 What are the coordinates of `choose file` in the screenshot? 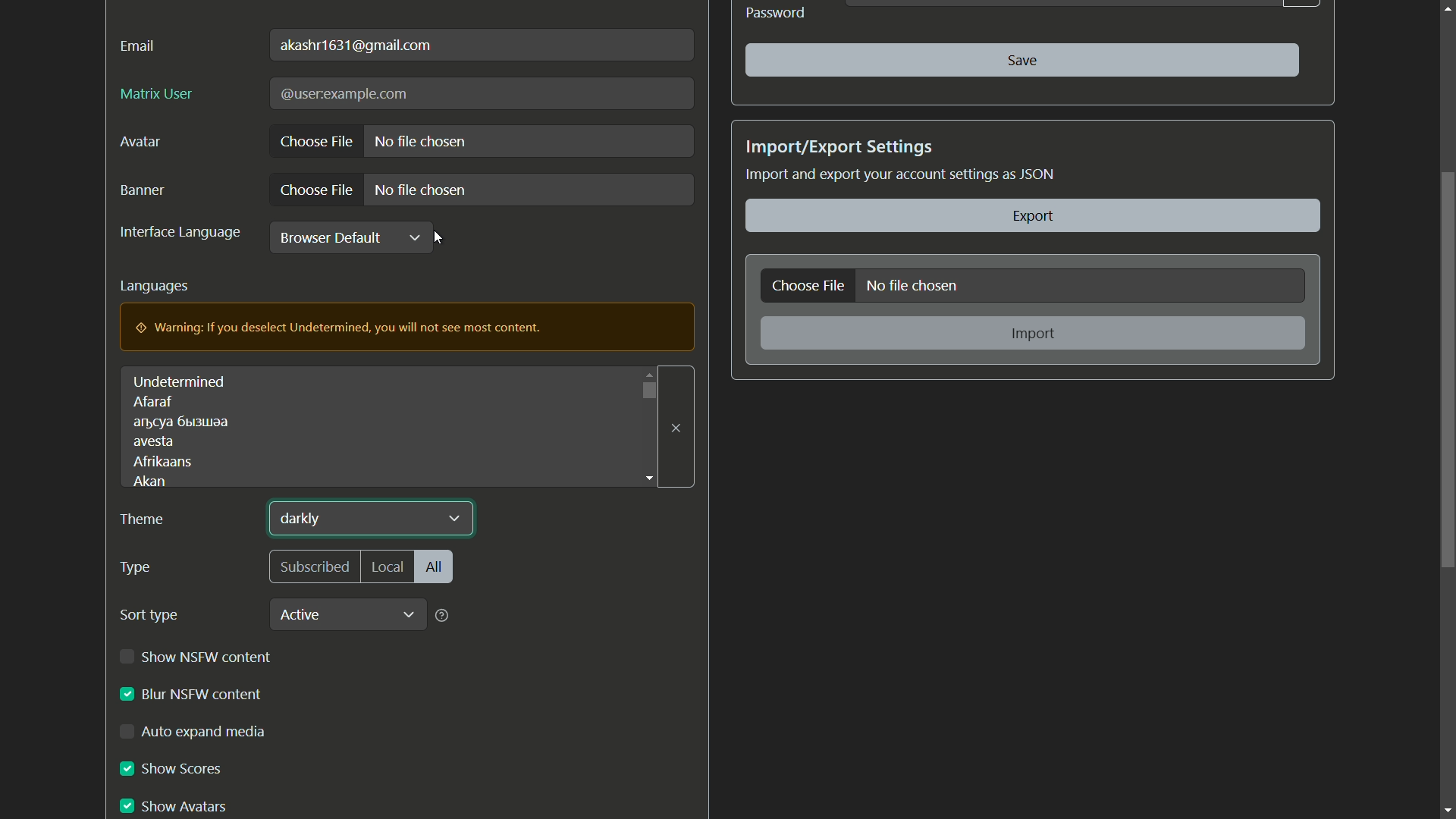 It's located at (809, 287).